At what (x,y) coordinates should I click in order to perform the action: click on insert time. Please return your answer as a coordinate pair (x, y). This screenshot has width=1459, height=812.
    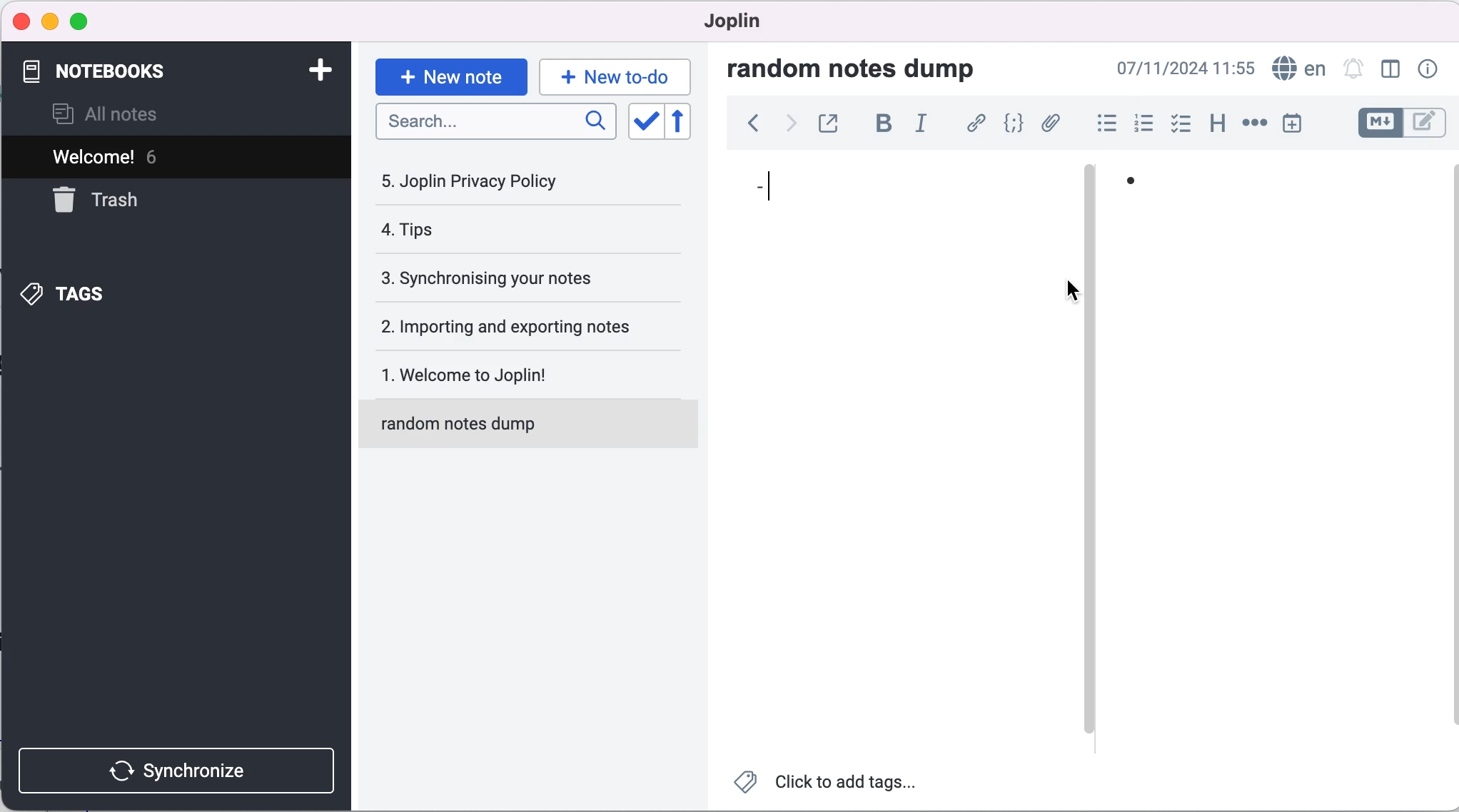
    Looking at the image, I should click on (1301, 123).